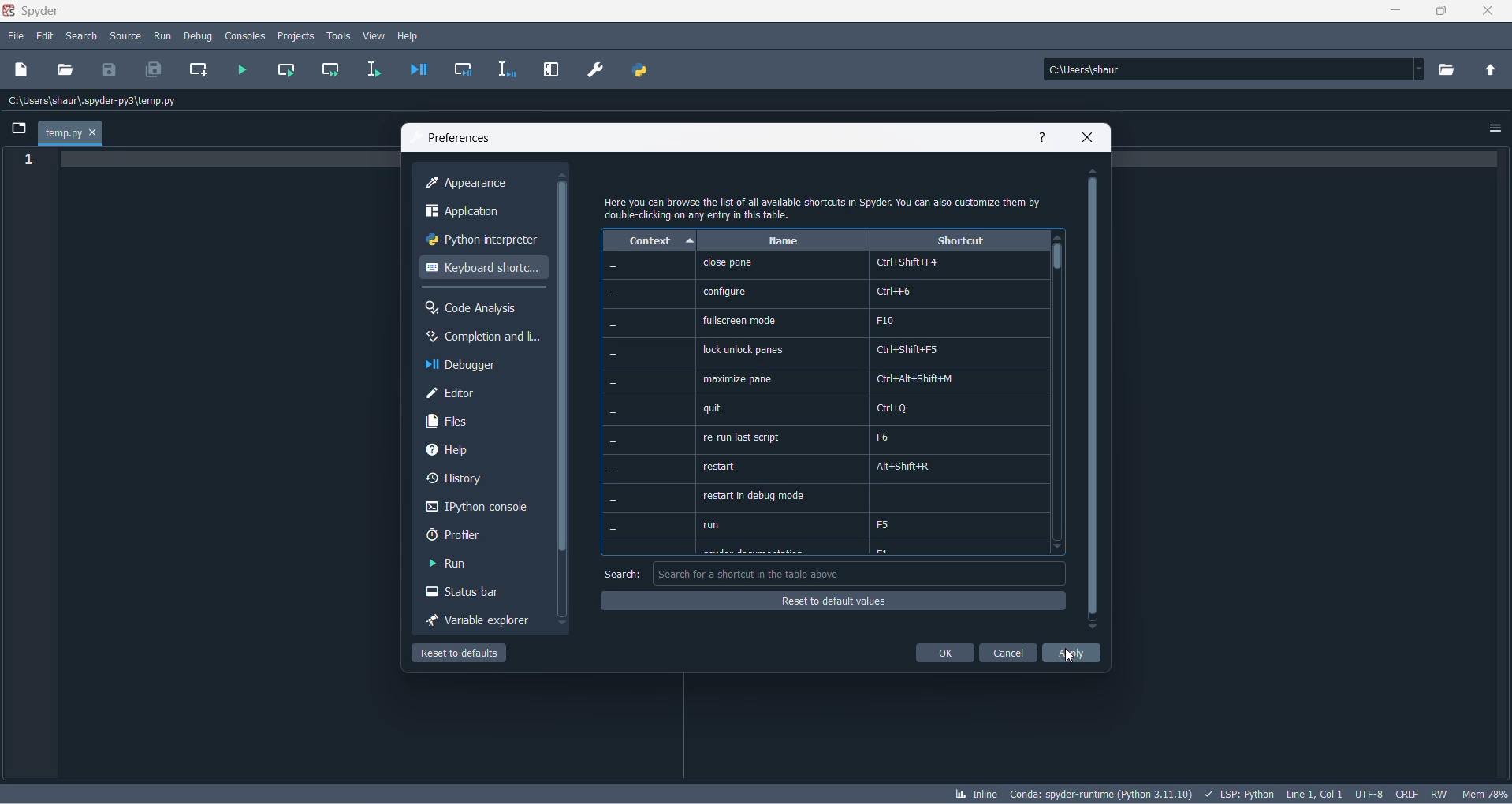 This screenshot has width=1512, height=804. I want to click on run current cell, so click(283, 71).